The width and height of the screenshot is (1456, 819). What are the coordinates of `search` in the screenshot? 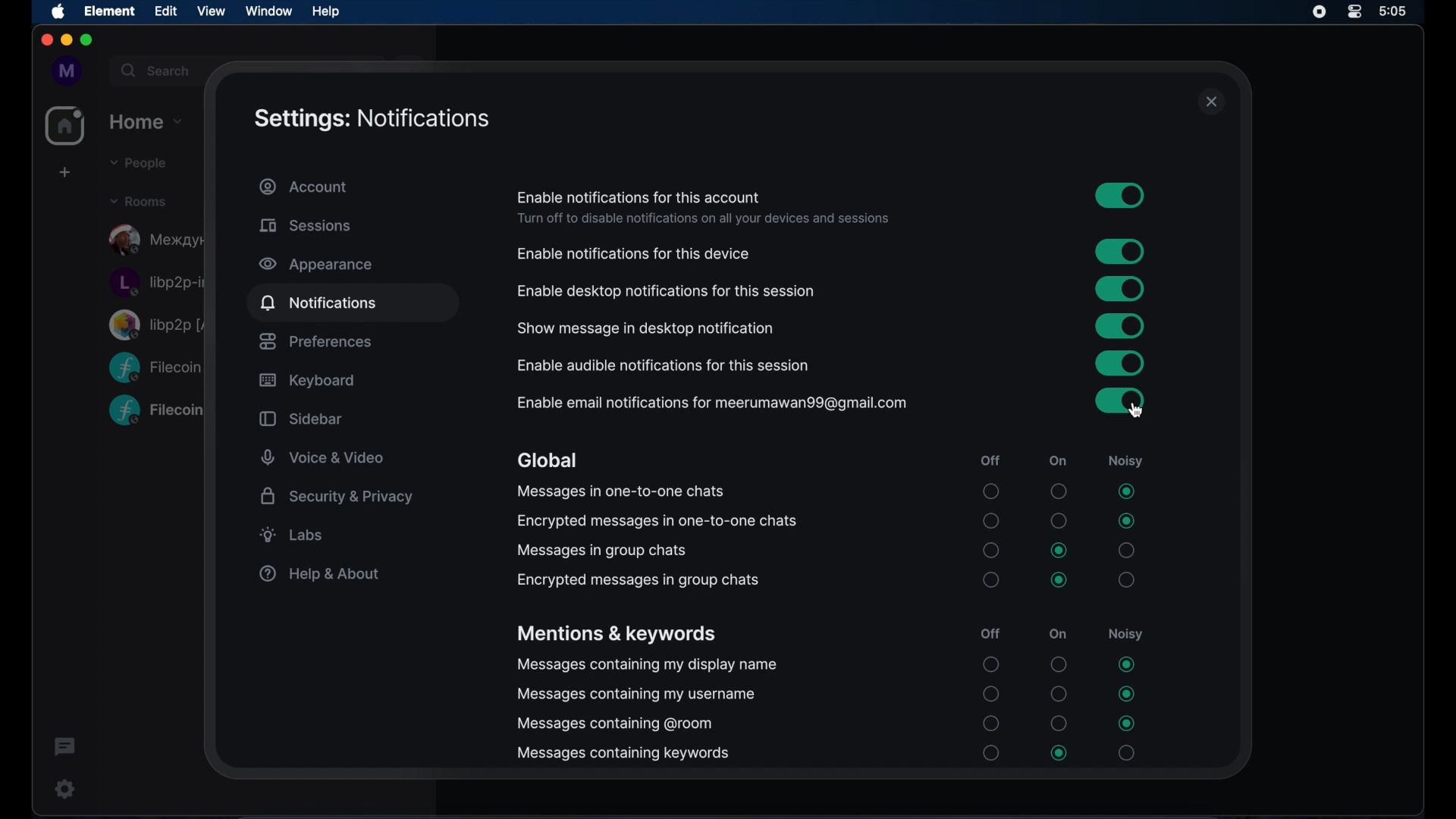 It's located at (154, 68).